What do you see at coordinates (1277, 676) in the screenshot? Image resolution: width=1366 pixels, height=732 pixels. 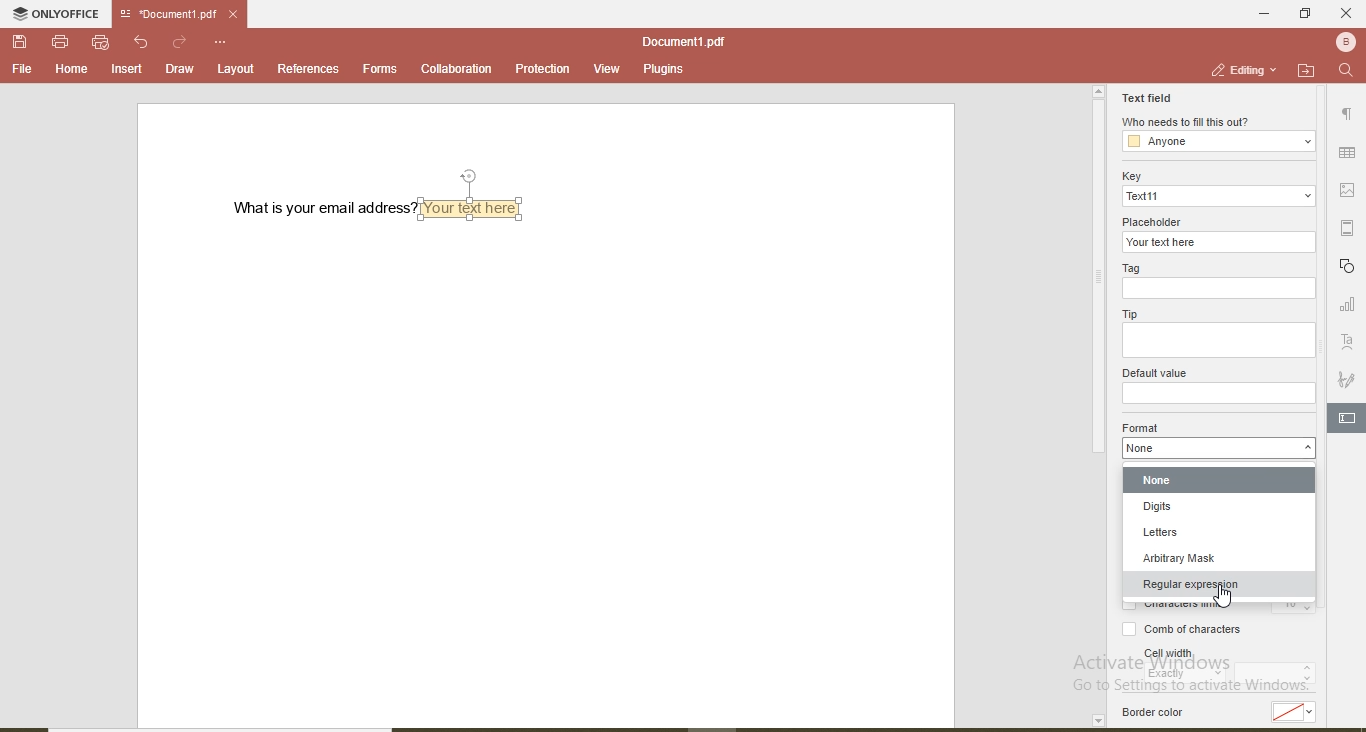 I see `input cell width` at bounding box center [1277, 676].